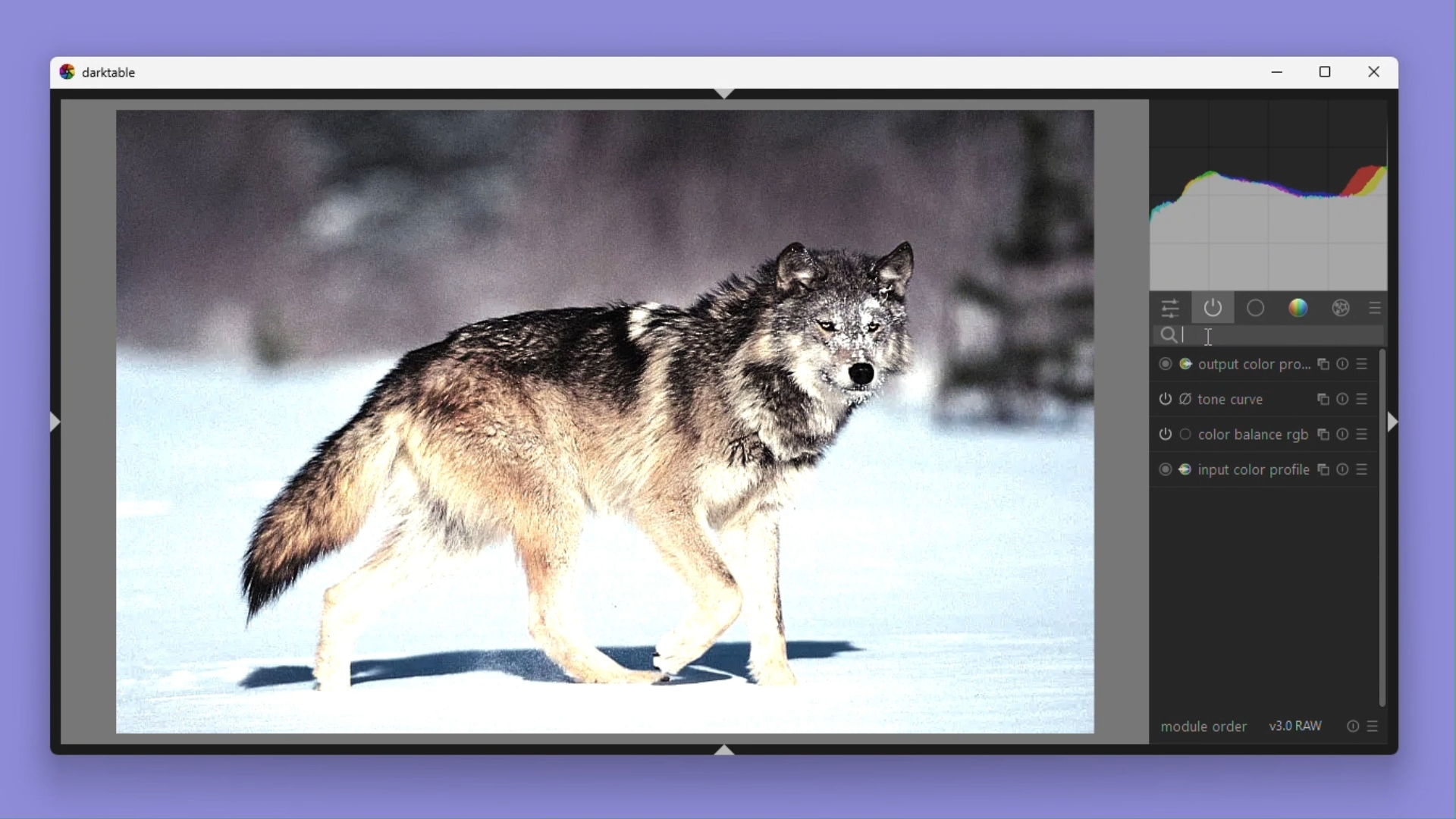 The width and height of the screenshot is (1456, 819). What do you see at coordinates (1324, 364) in the screenshot?
I see `copy` at bounding box center [1324, 364].